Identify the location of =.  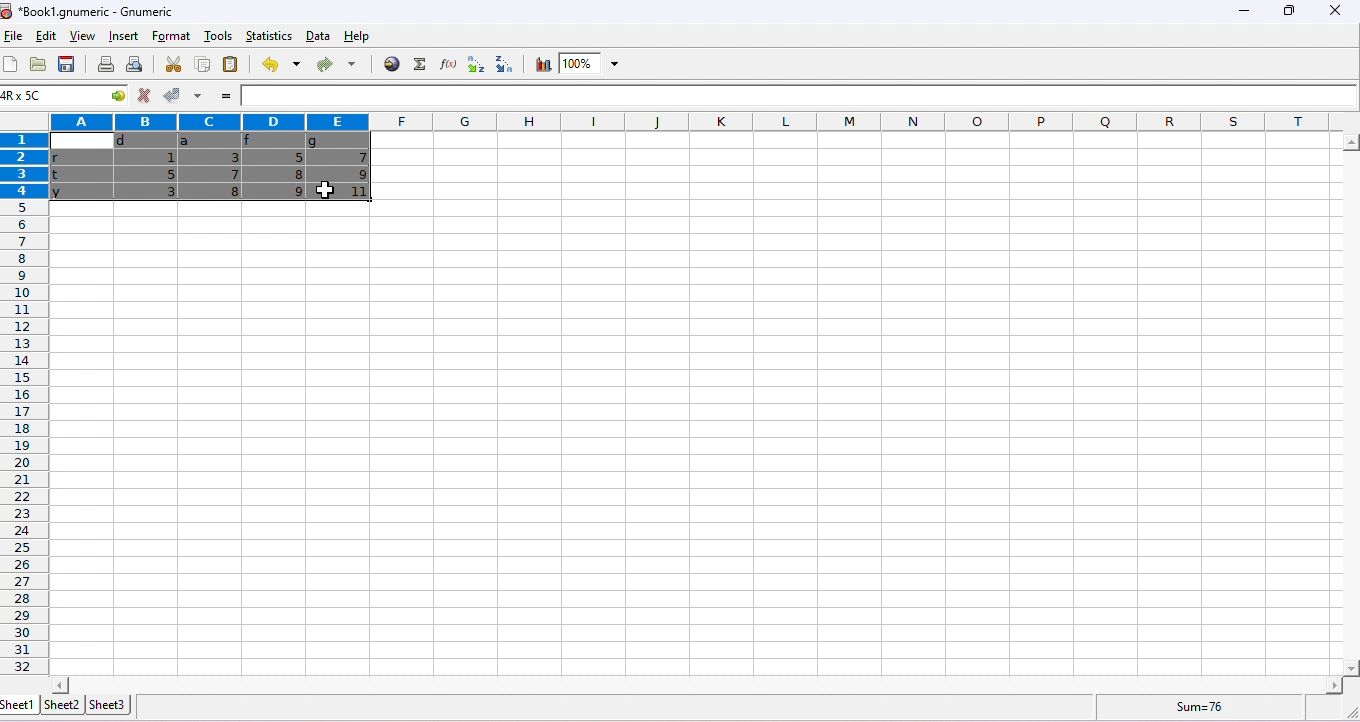
(224, 97).